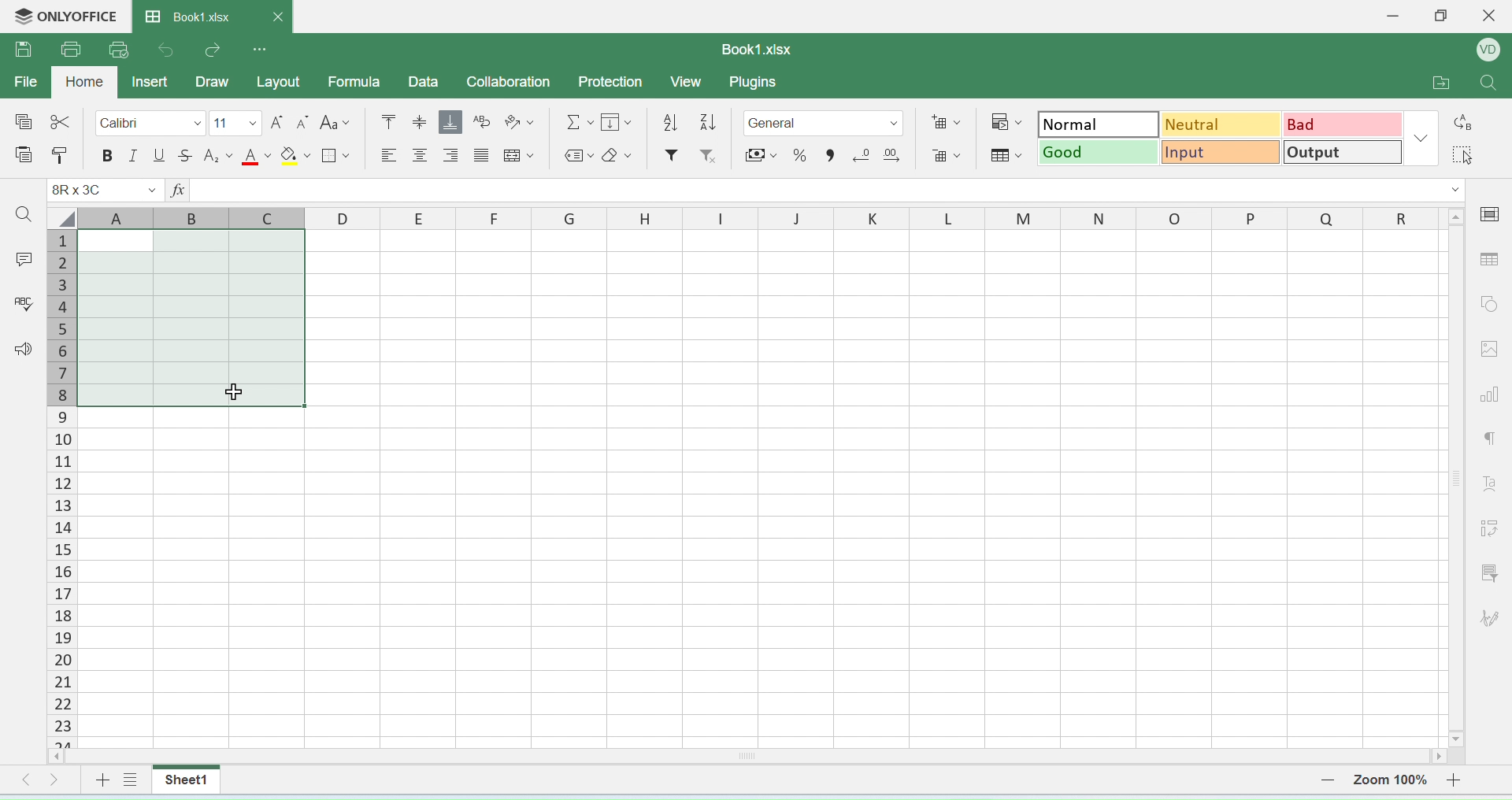  Describe the element at coordinates (864, 154) in the screenshot. I see `remove decimal` at that location.